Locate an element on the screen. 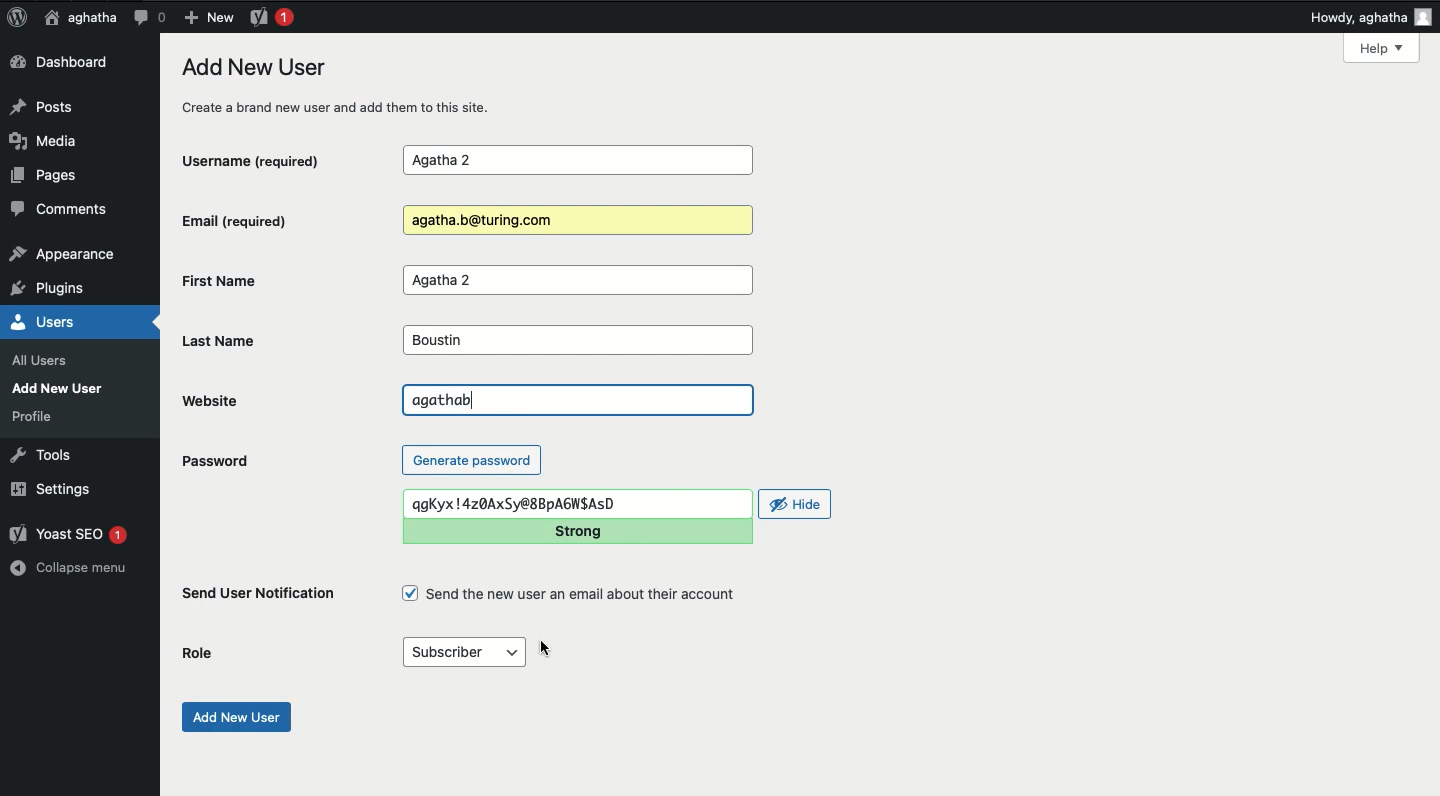 The height and width of the screenshot is (796, 1440). Username (required) is located at coordinates (269, 159).